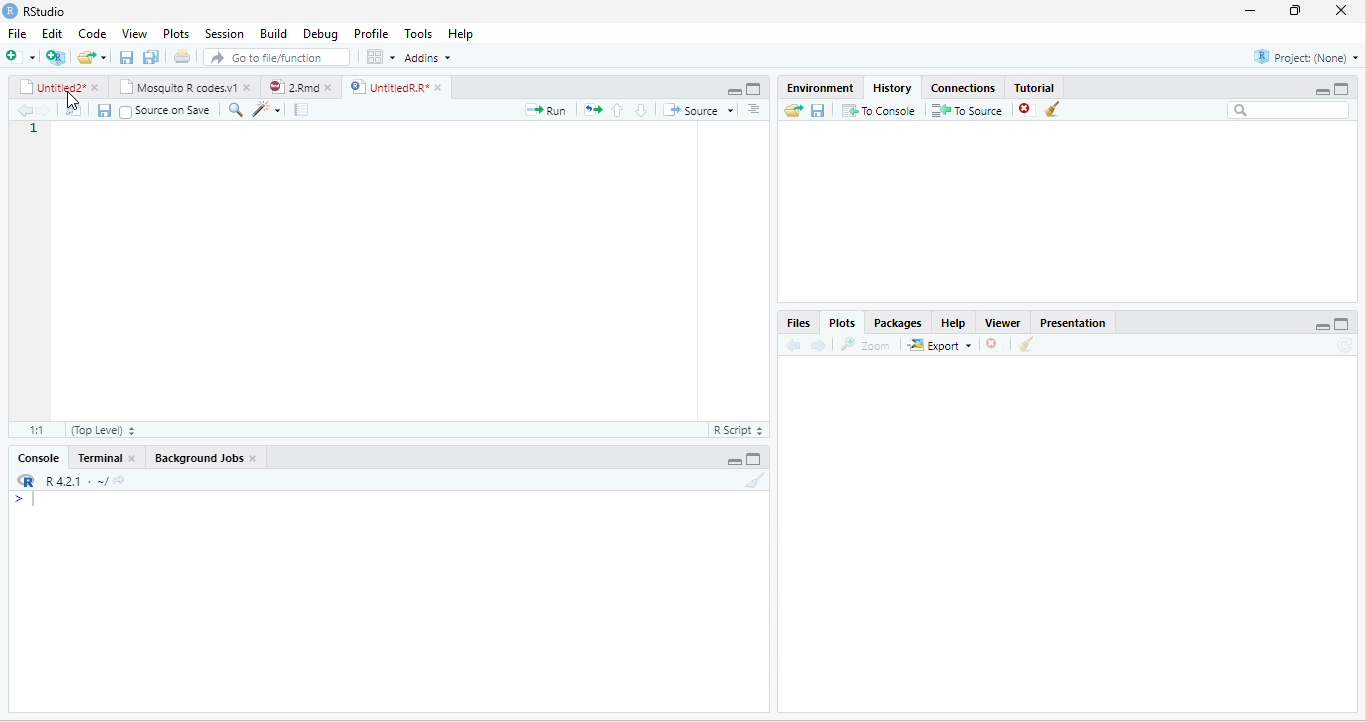 The image size is (1366, 722). Describe the element at coordinates (278, 56) in the screenshot. I see `go to file` at that location.